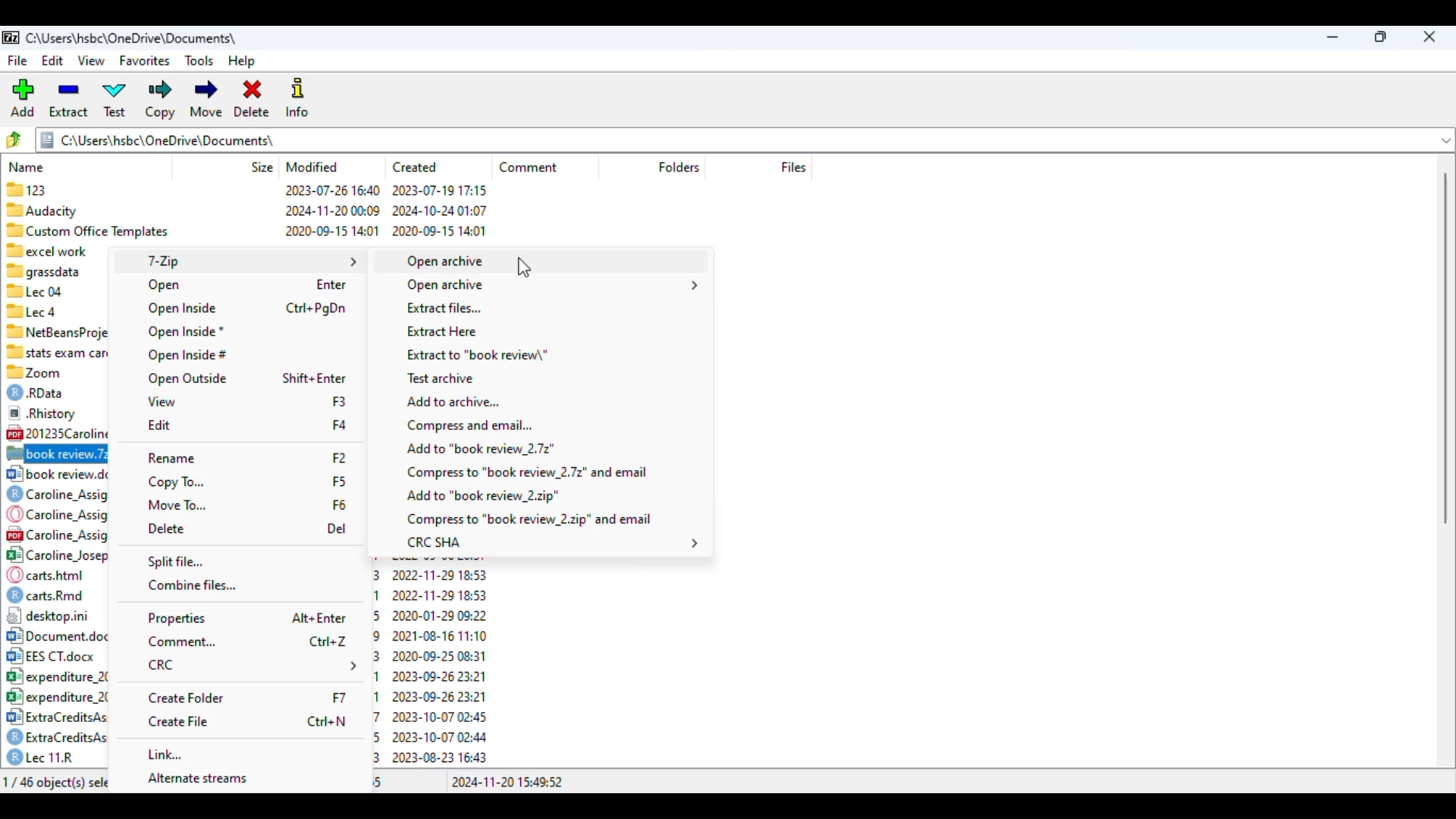 The width and height of the screenshot is (1456, 819). Describe the element at coordinates (58, 432) in the screenshot. I see `@201235Carolineloseph3... 854886 2020-10-09 19:02 2020-10-09 19:05` at that location.